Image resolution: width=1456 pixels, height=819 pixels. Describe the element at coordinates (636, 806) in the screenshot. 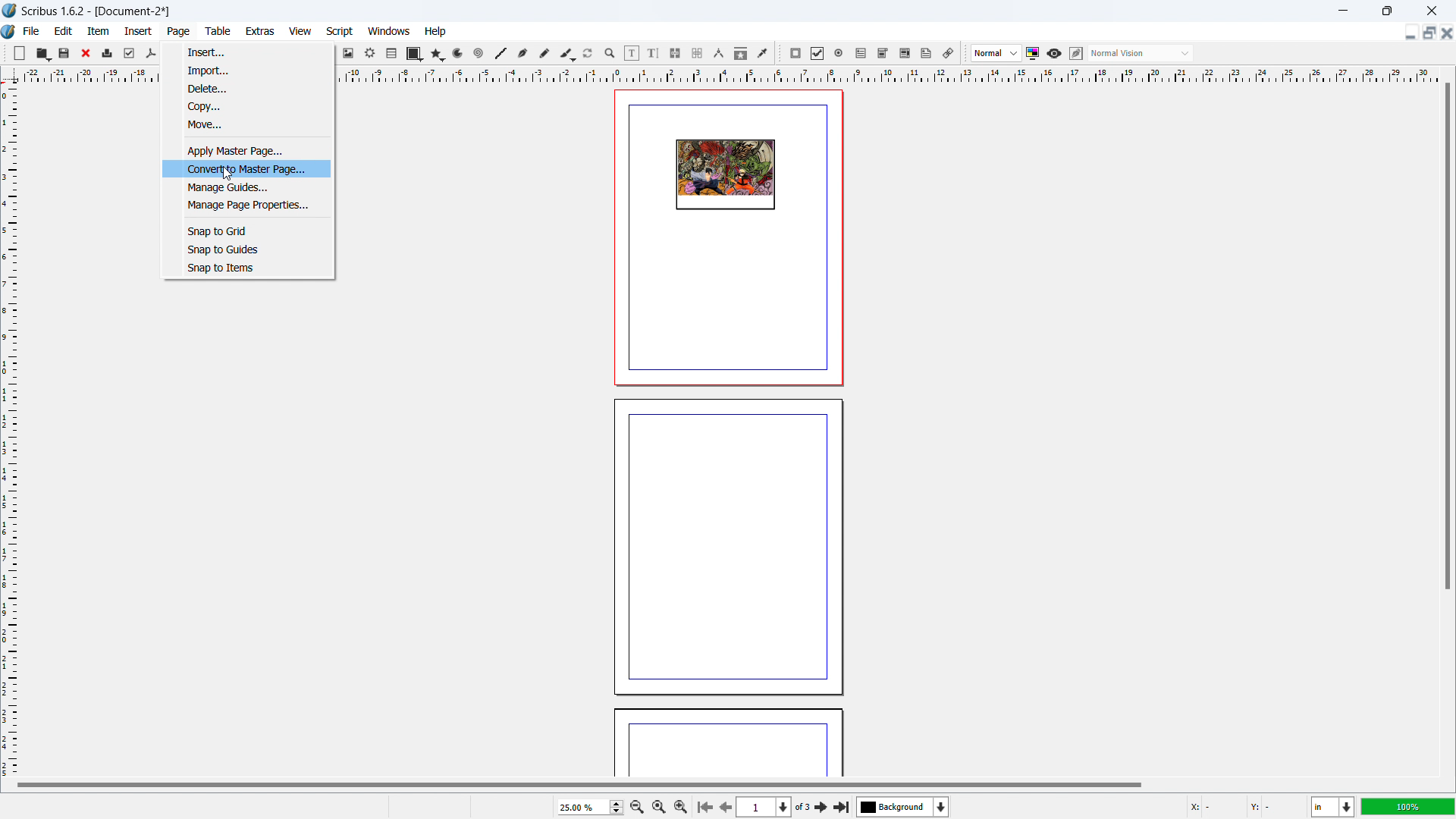

I see `zoom out by the stepping value in tool preference` at that location.